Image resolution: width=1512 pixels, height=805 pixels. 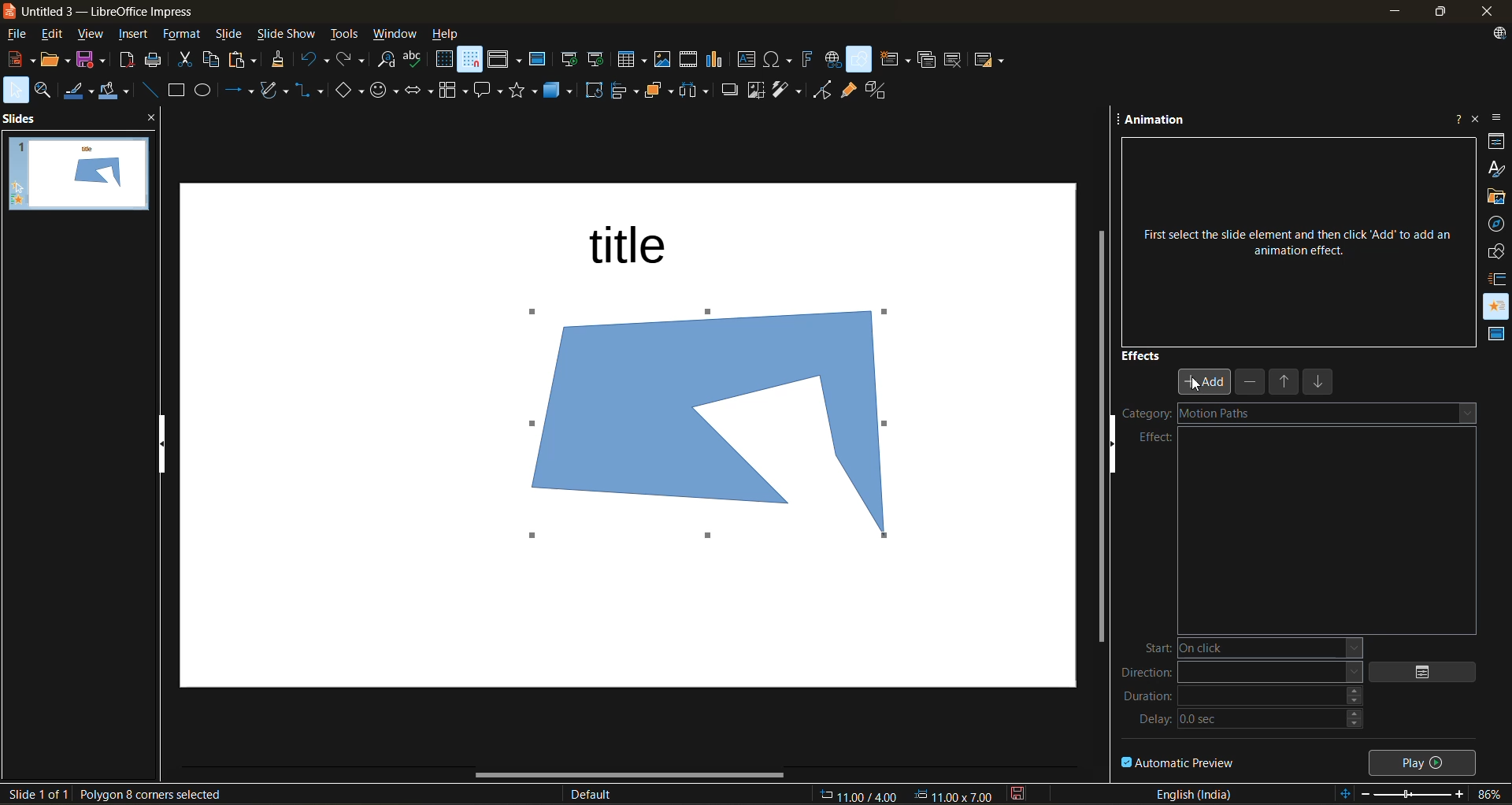 I want to click on close pane, so click(x=157, y=120).